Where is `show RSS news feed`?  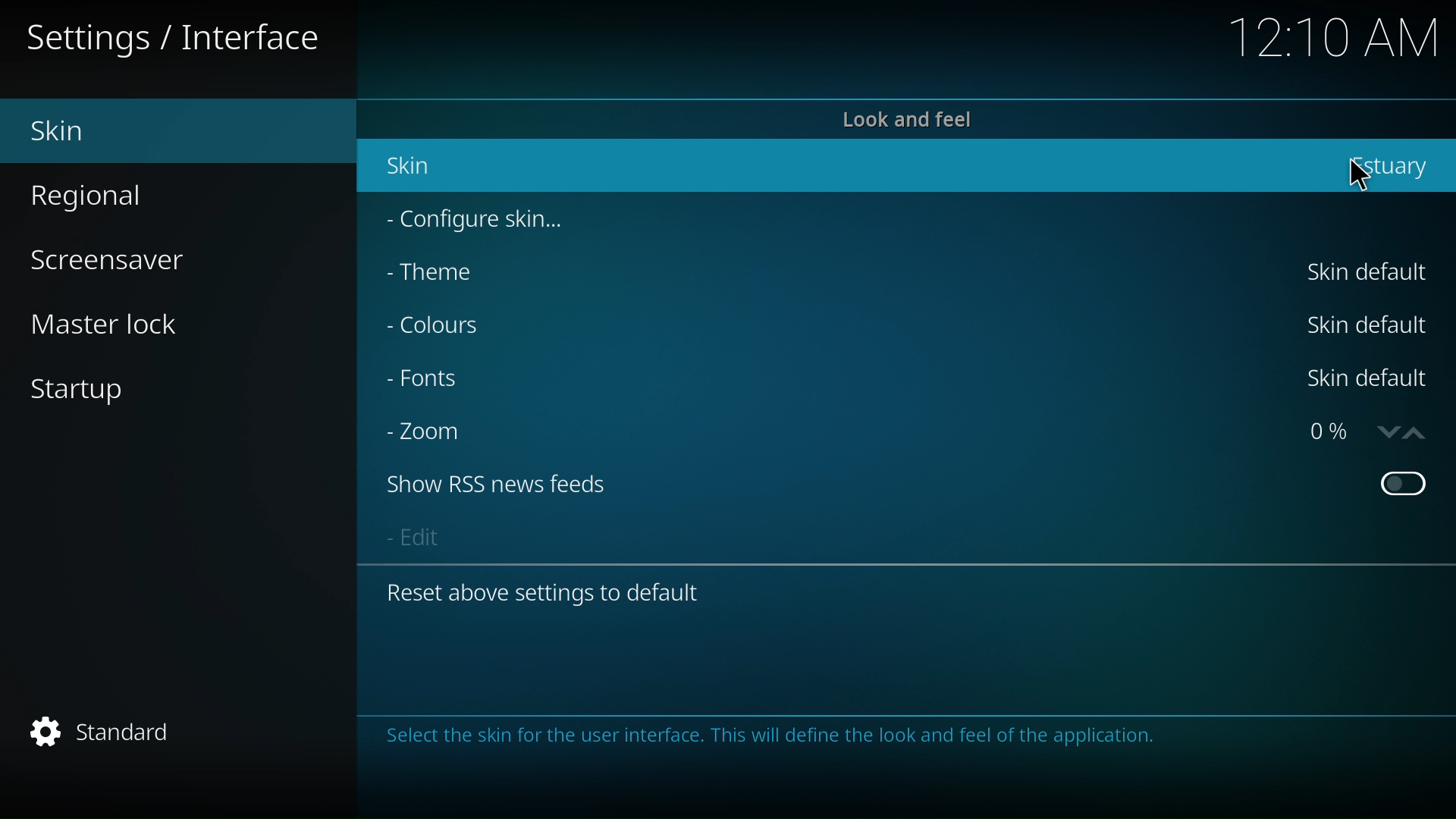
show RSS news feed is located at coordinates (499, 480).